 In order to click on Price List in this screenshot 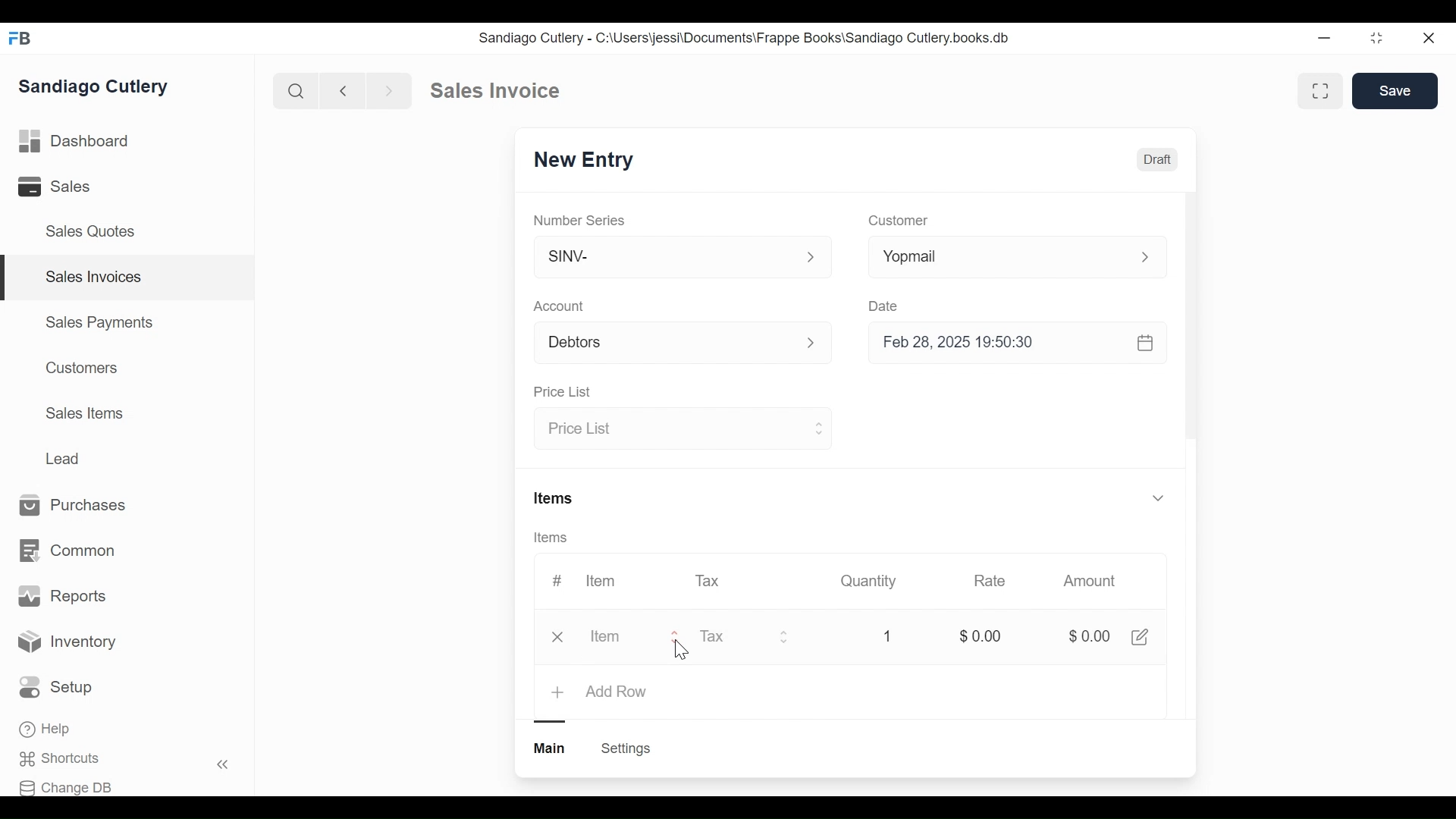, I will do `click(680, 430)`.